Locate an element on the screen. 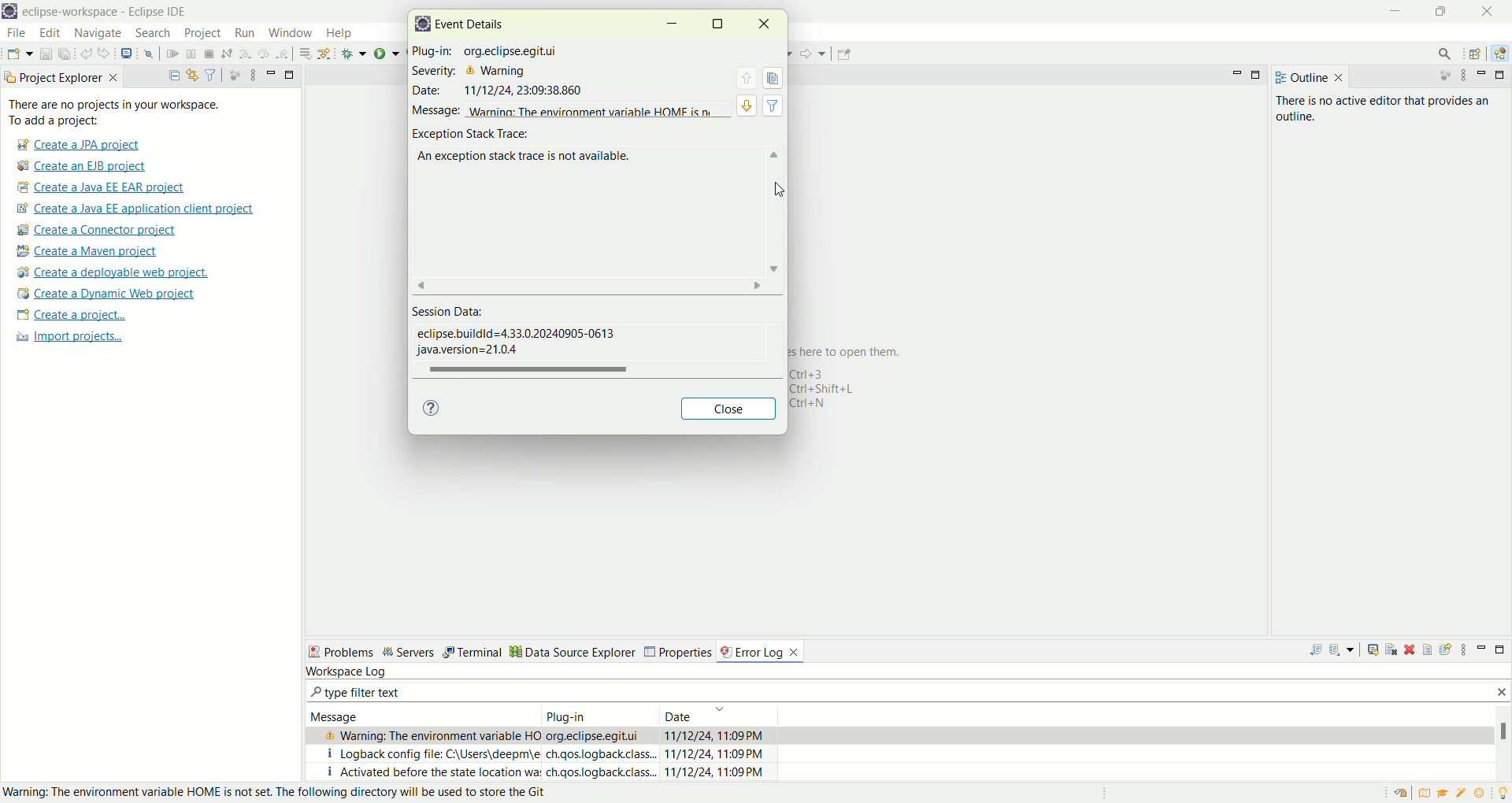  edit is located at coordinates (52, 32).